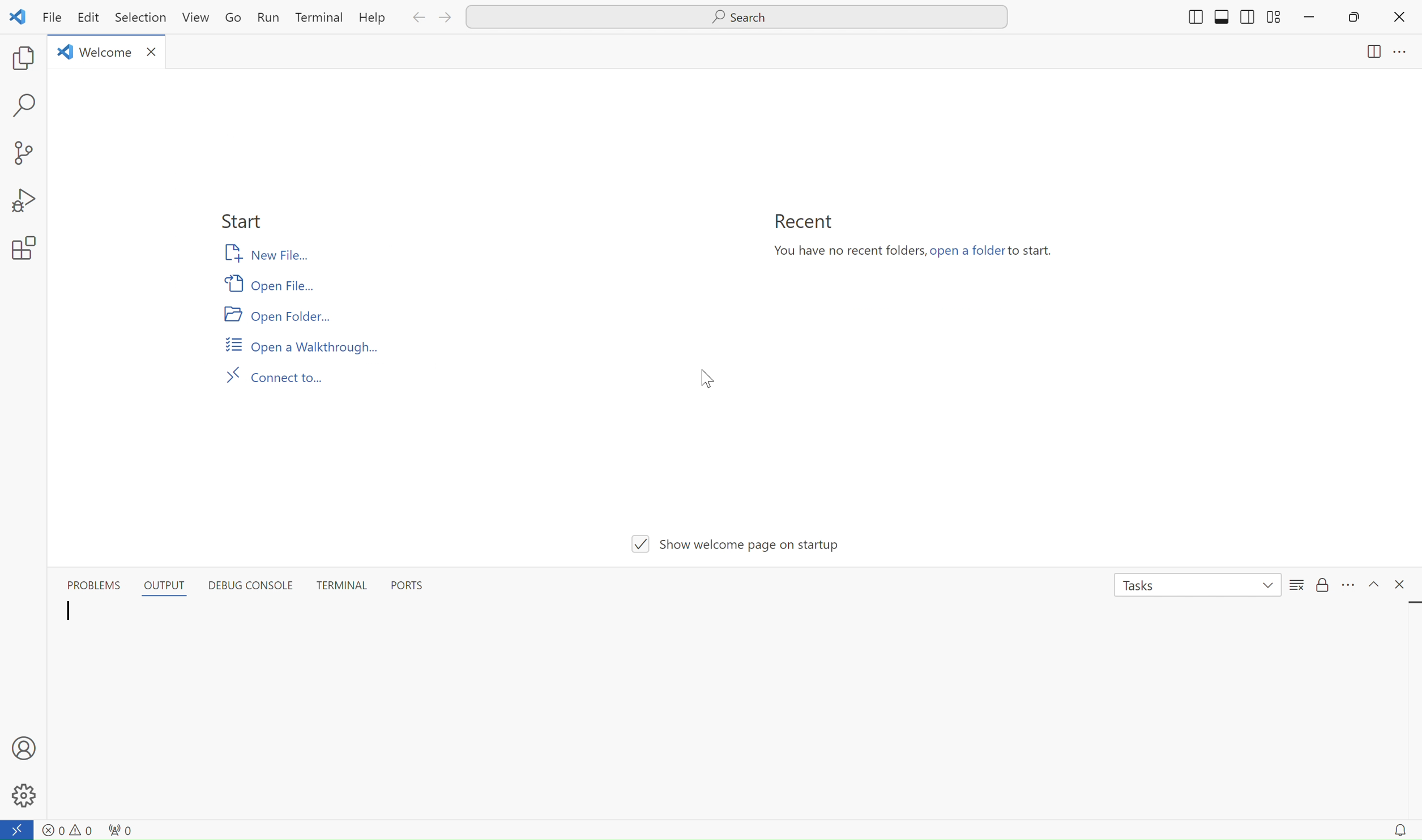 This screenshot has width=1422, height=840. What do you see at coordinates (53, 20) in the screenshot?
I see `File` at bounding box center [53, 20].